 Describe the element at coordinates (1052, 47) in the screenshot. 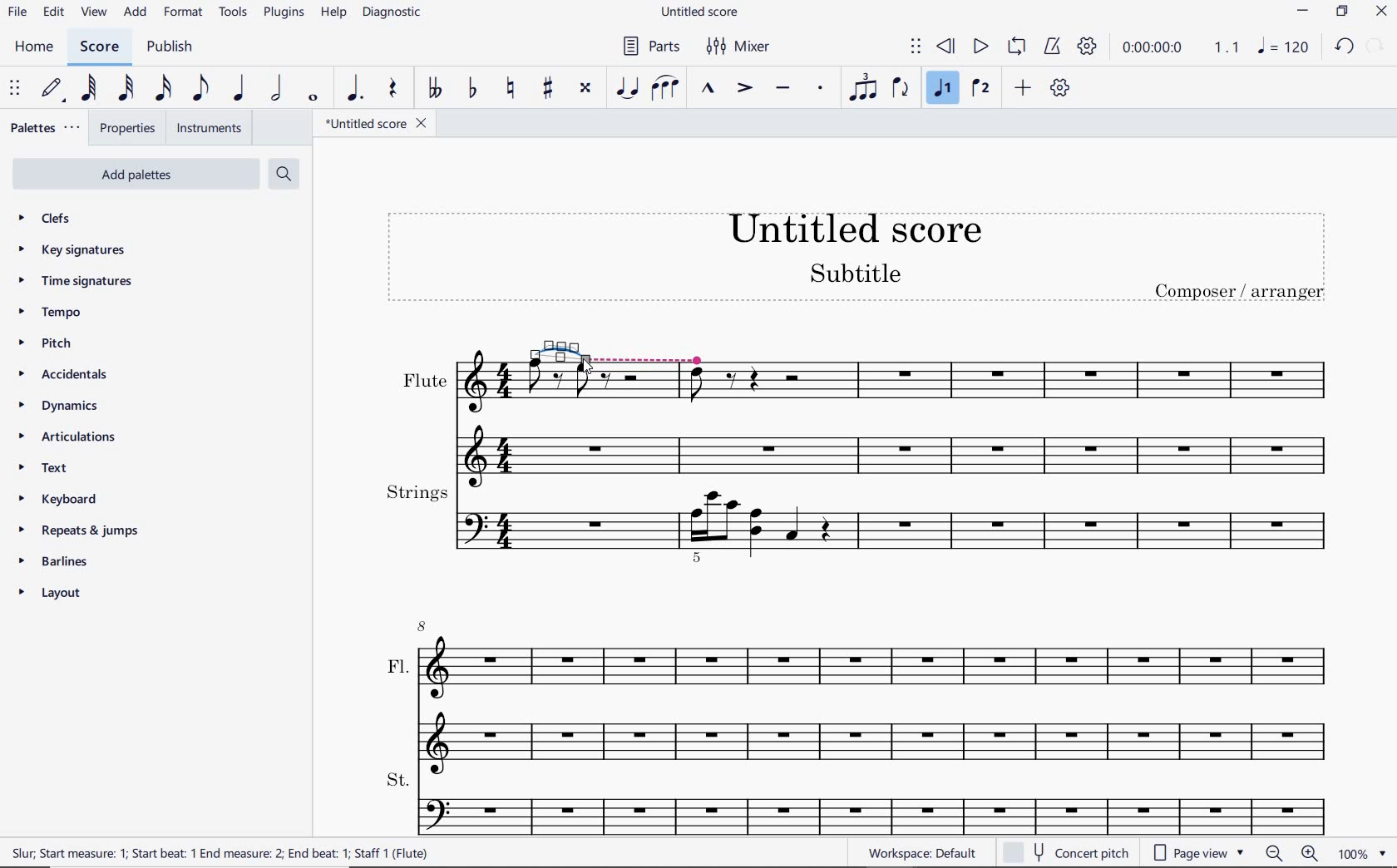

I see `METRONOME` at that location.